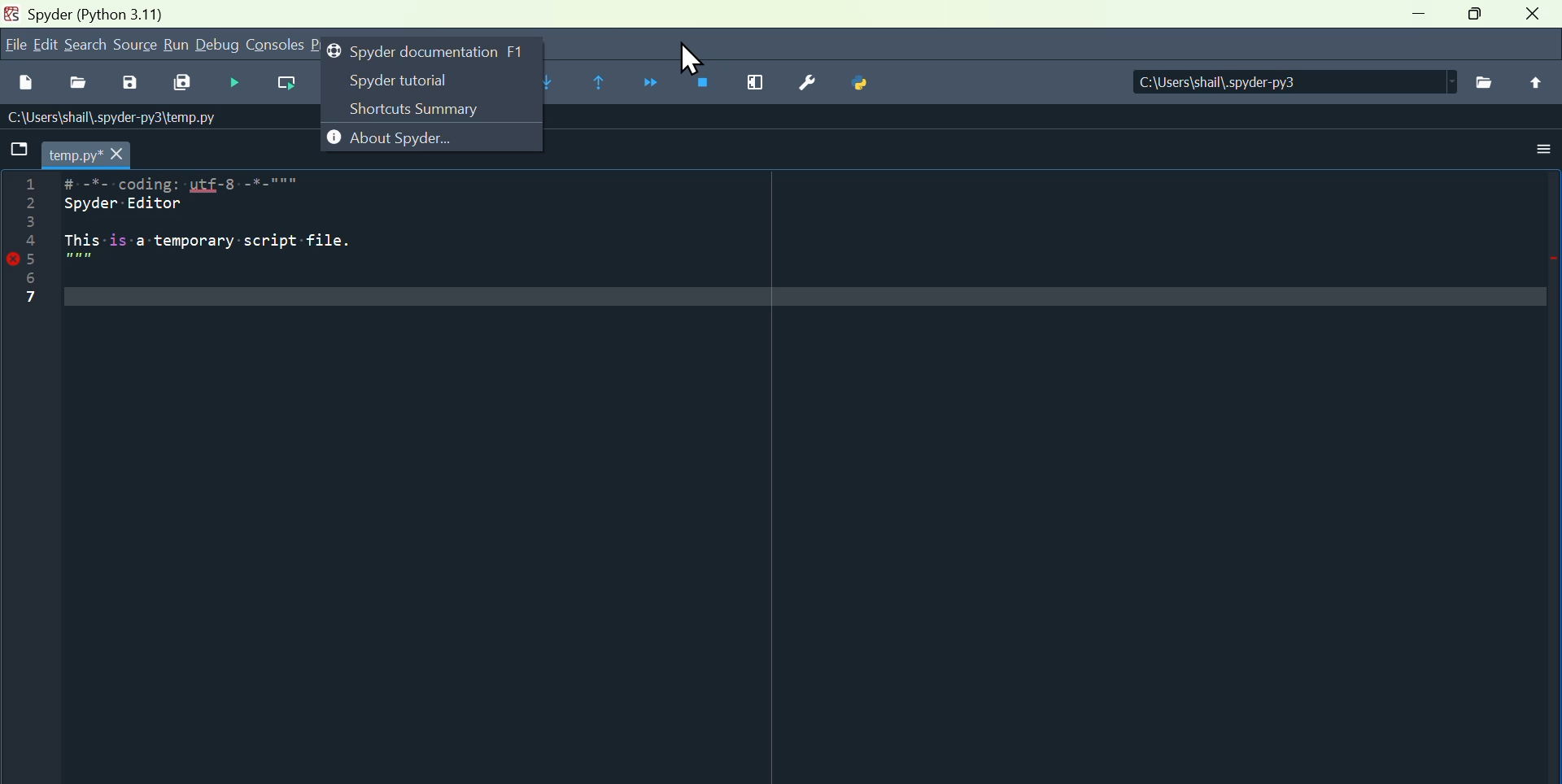 This screenshot has width=1562, height=784. I want to click on save, so click(127, 85).